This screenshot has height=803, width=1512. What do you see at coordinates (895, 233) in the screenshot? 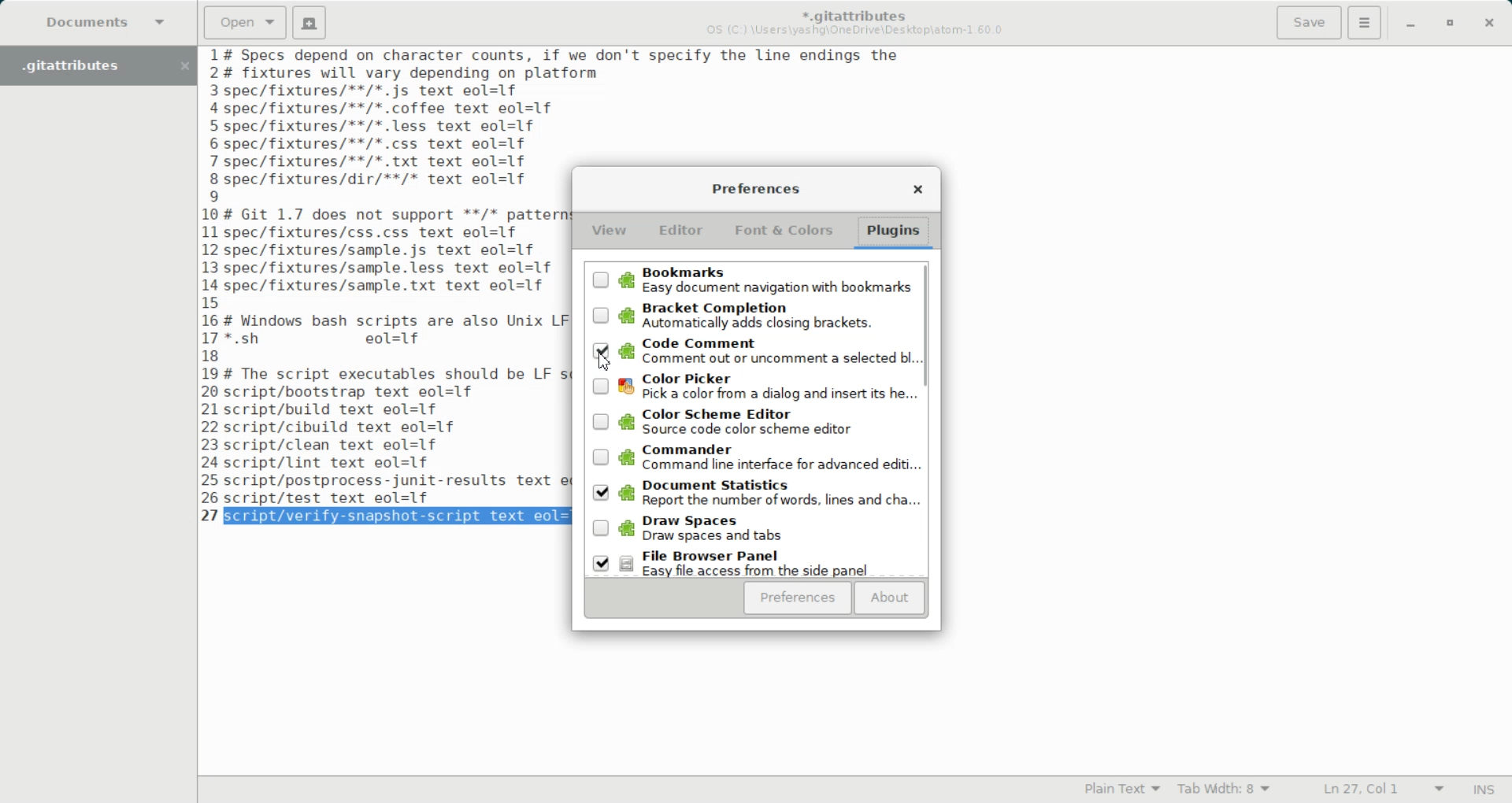
I see `Plugins (selected)` at bounding box center [895, 233].